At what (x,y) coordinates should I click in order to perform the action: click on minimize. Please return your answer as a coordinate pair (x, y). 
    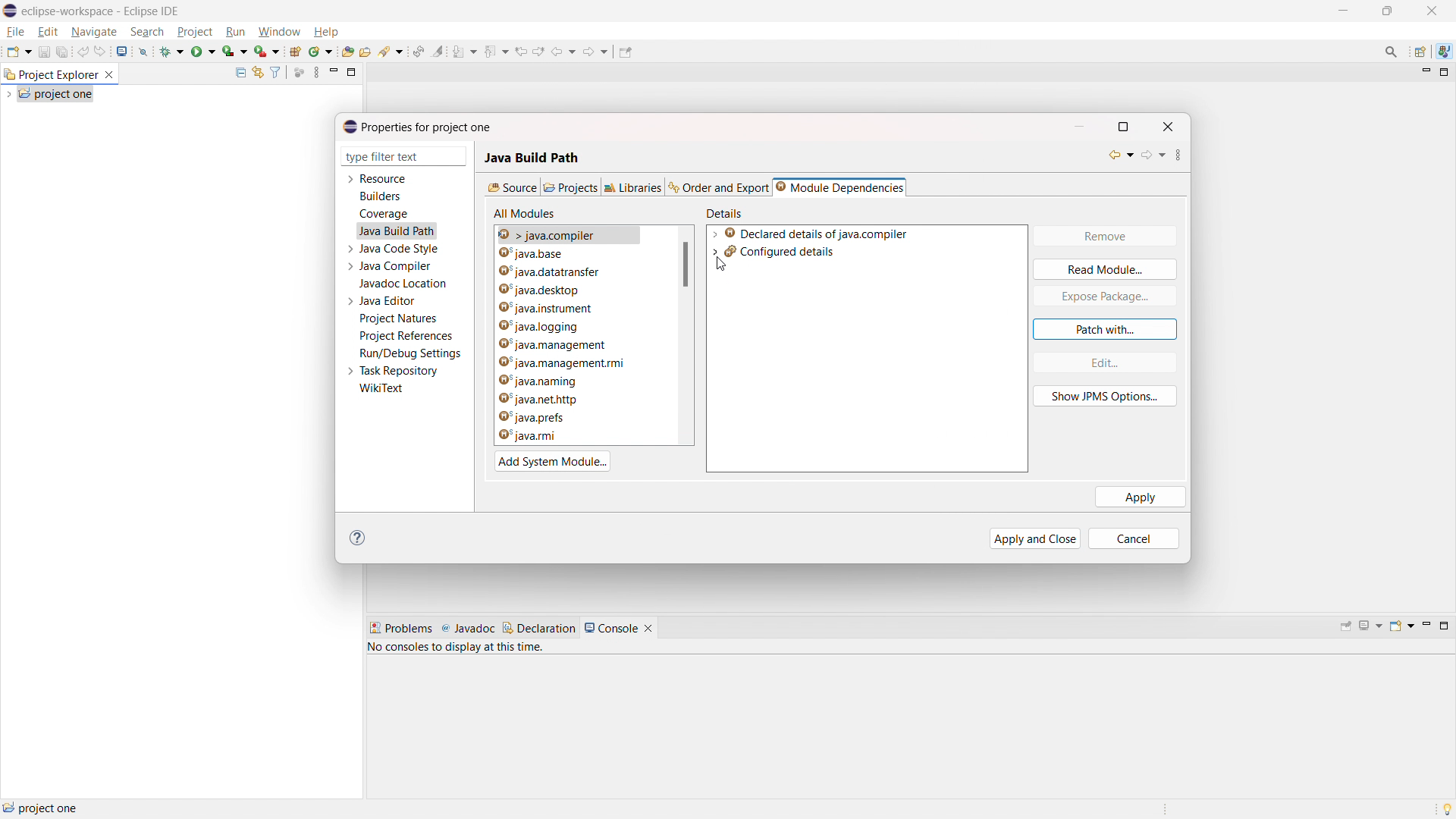
    Looking at the image, I should click on (334, 72).